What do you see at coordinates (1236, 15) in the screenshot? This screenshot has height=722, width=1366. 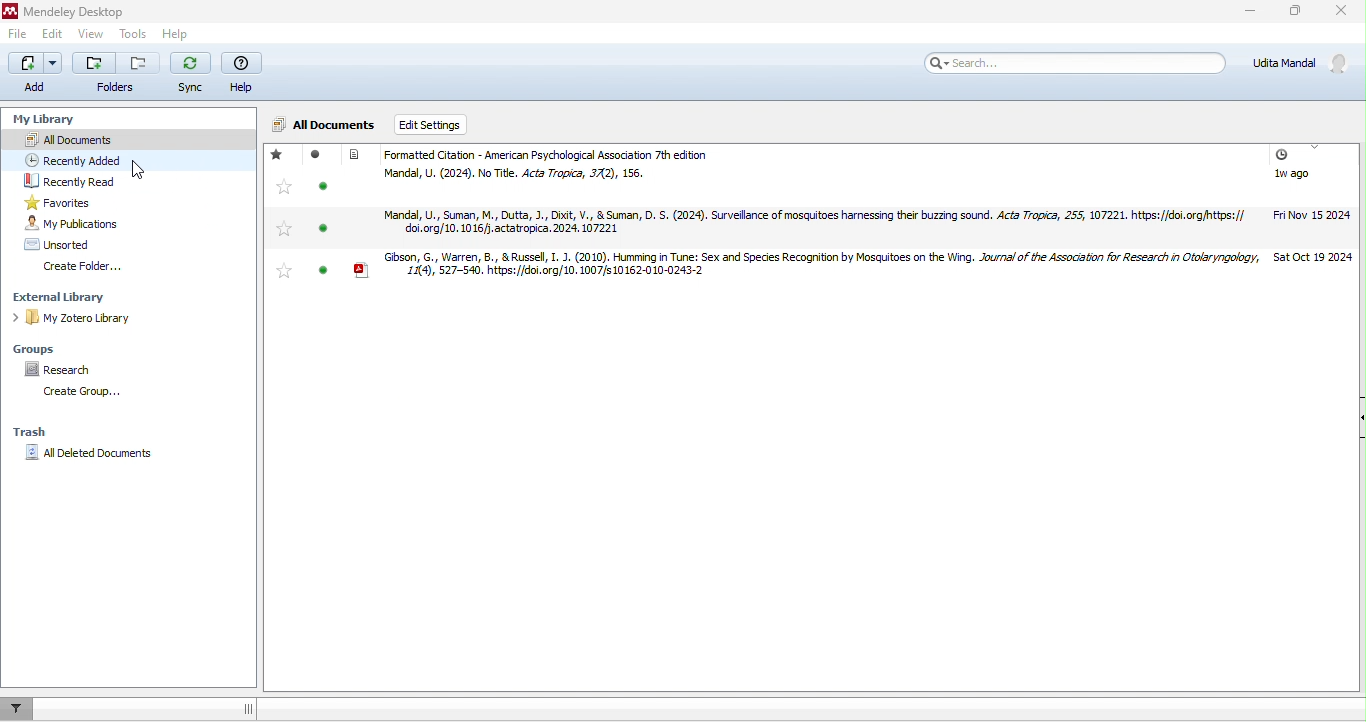 I see `minimize` at bounding box center [1236, 15].